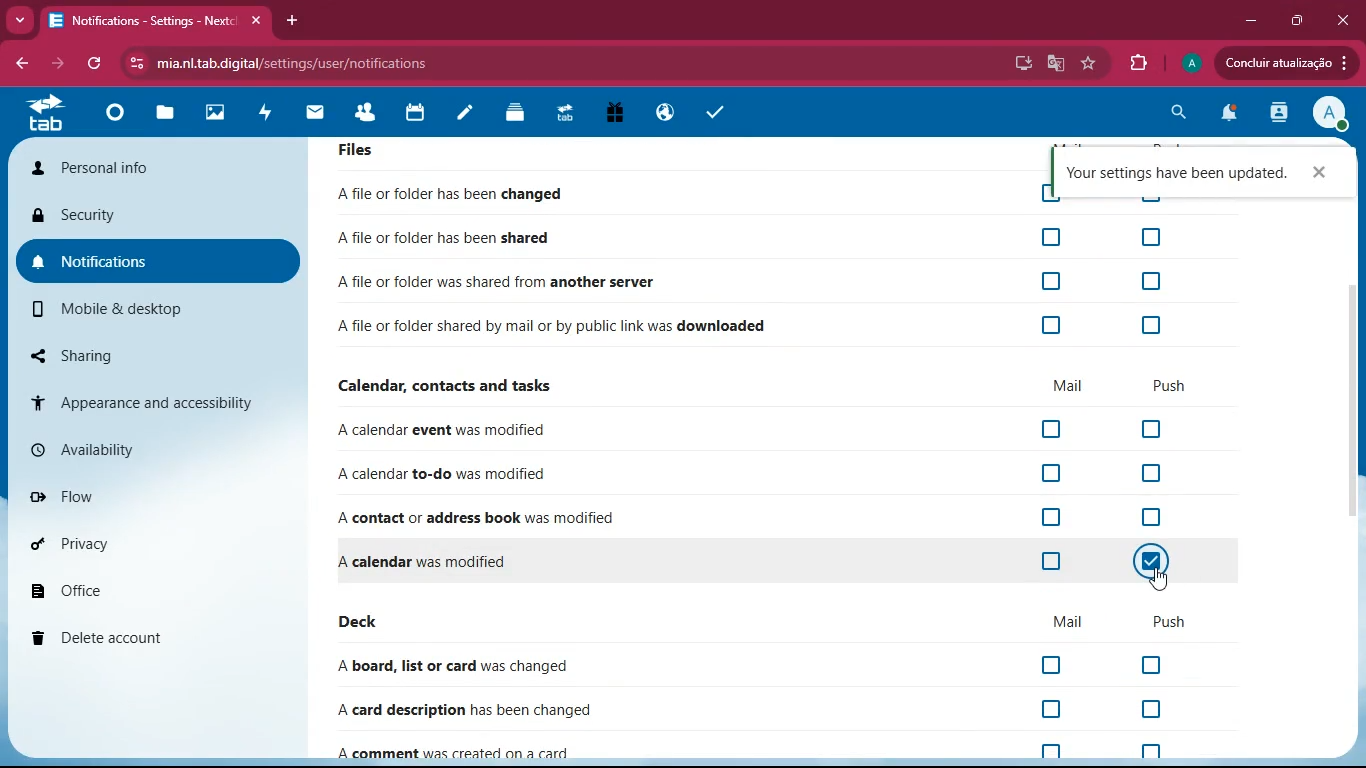  Describe the element at coordinates (540, 513) in the screenshot. I see `contact` at that location.